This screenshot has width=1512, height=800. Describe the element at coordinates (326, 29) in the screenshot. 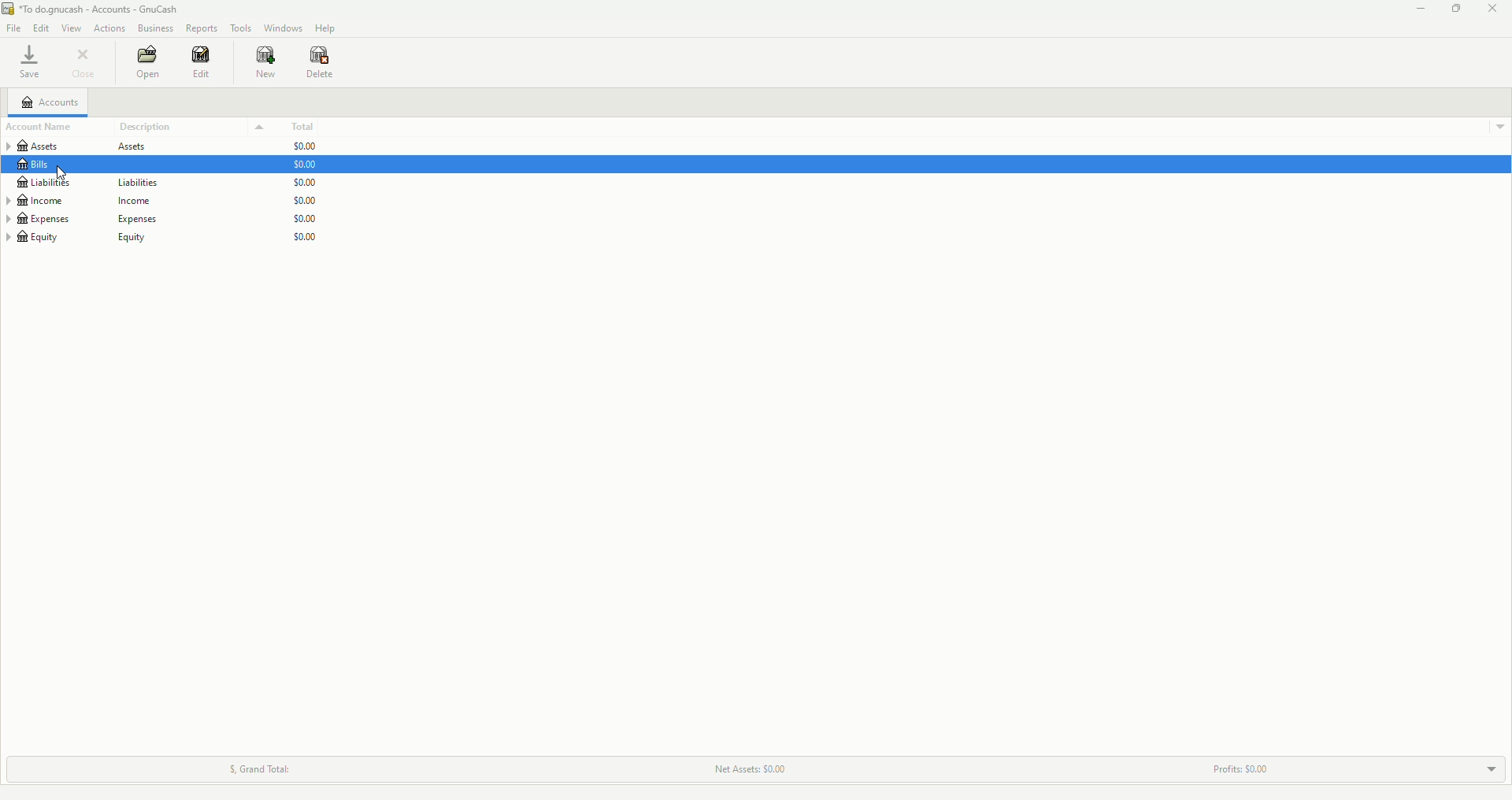

I see `Help` at that location.